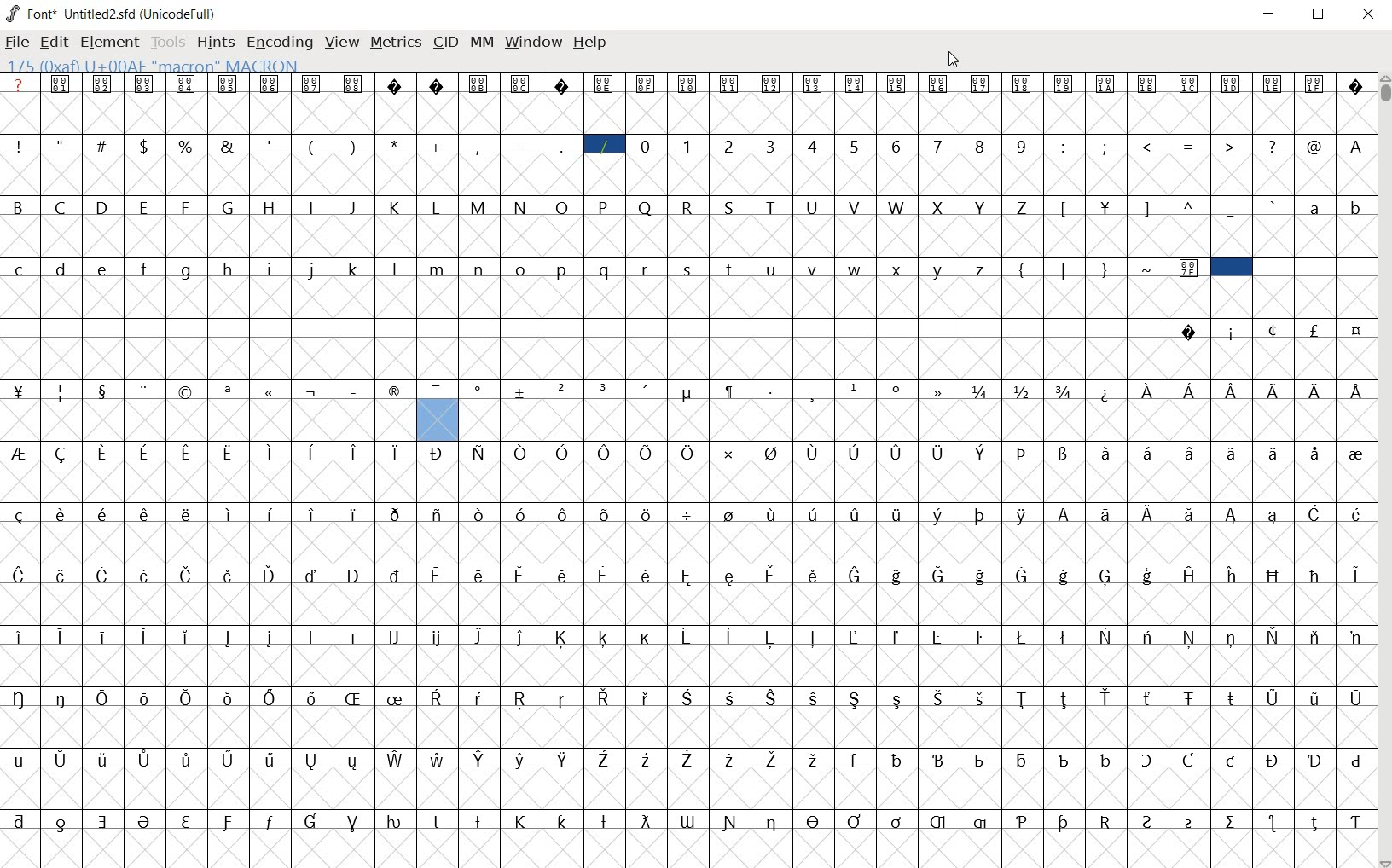 The image size is (1392, 868). What do you see at coordinates (605, 452) in the screenshot?
I see `Symbol` at bounding box center [605, 452].